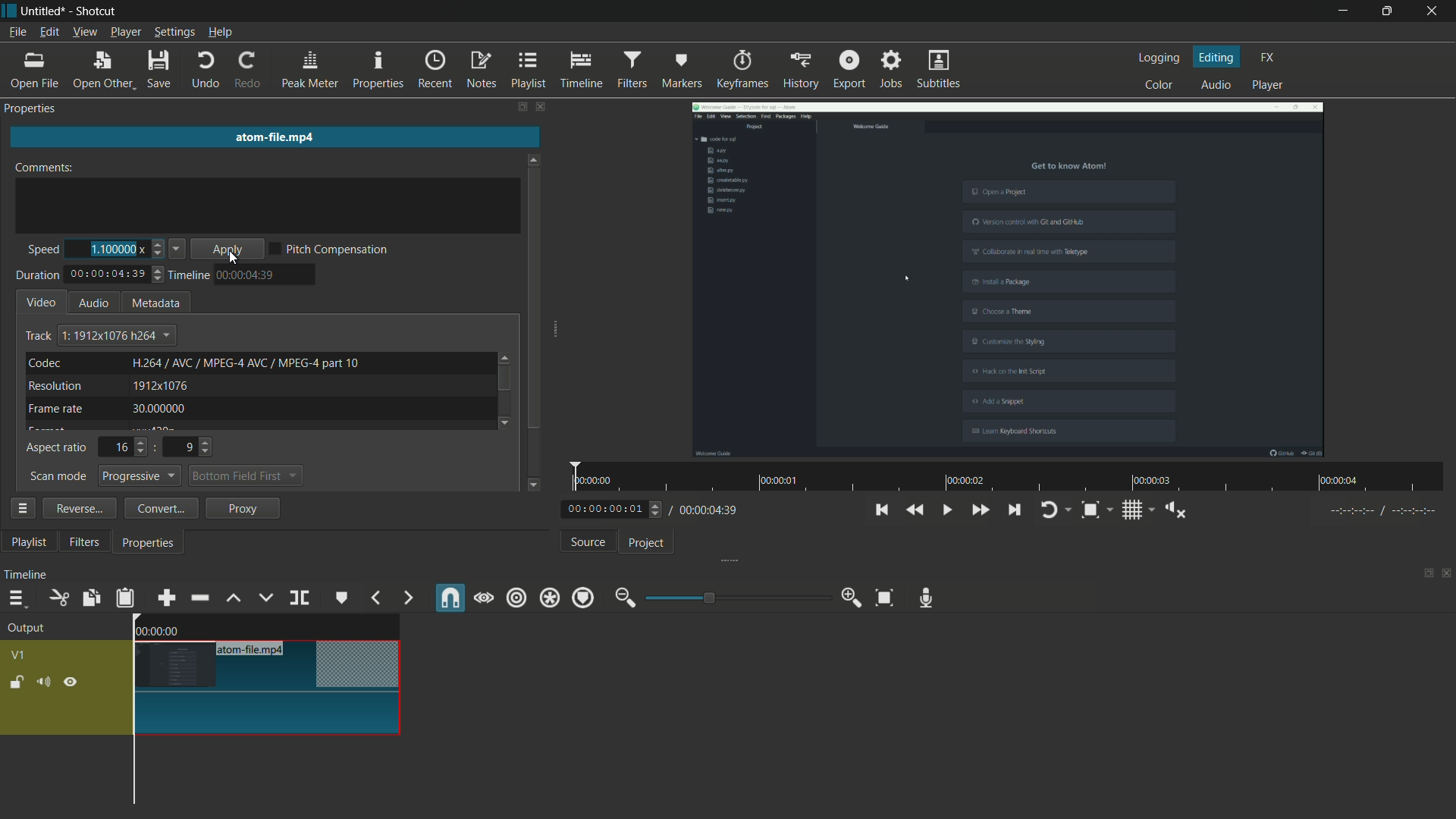 The image size is (1456, 819). Describe the element at coordinates (31, 71) in the screenshot. I see `open file` at that location.